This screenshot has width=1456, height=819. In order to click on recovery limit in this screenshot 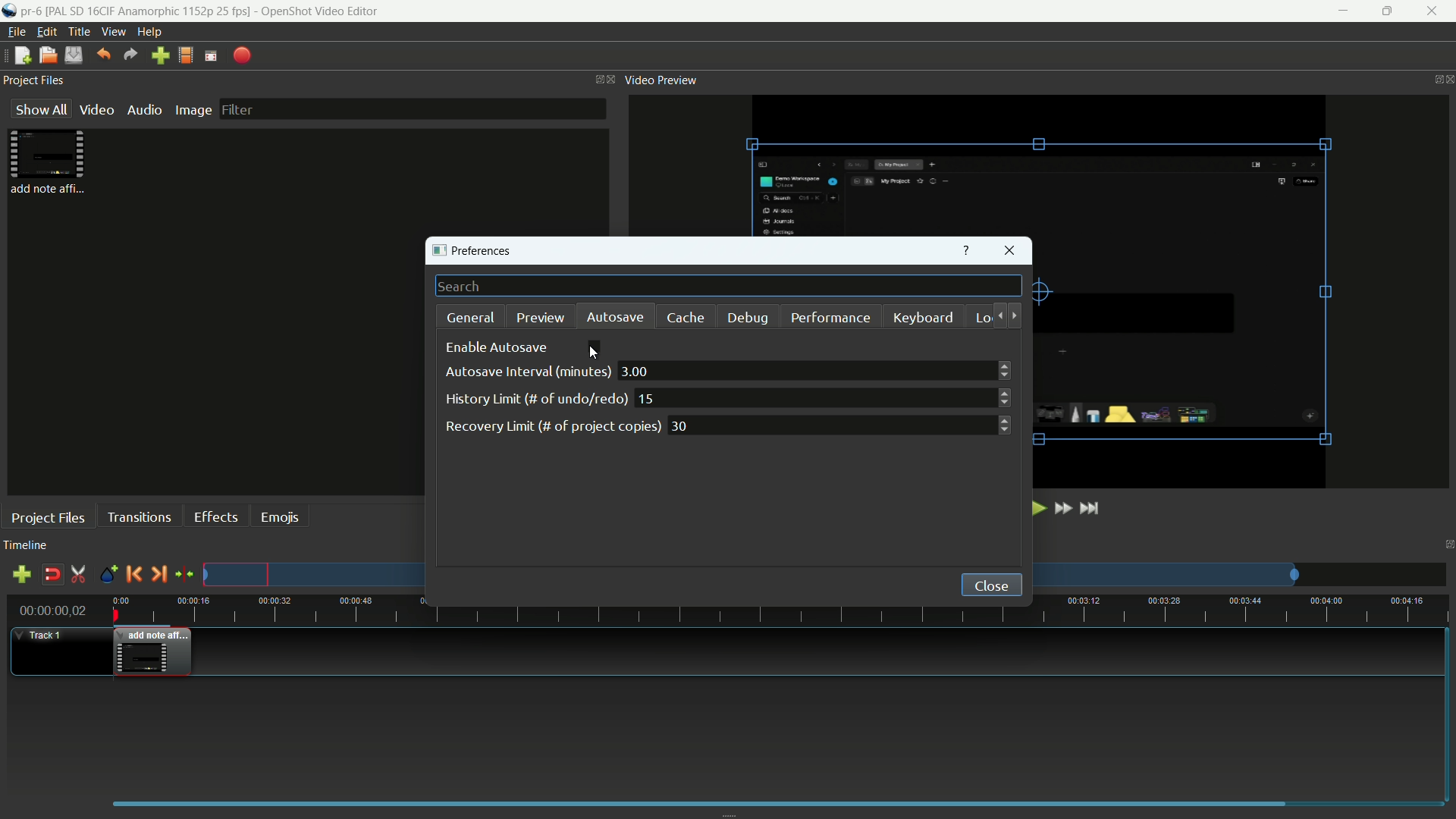, I will do `click(552, 426)`.